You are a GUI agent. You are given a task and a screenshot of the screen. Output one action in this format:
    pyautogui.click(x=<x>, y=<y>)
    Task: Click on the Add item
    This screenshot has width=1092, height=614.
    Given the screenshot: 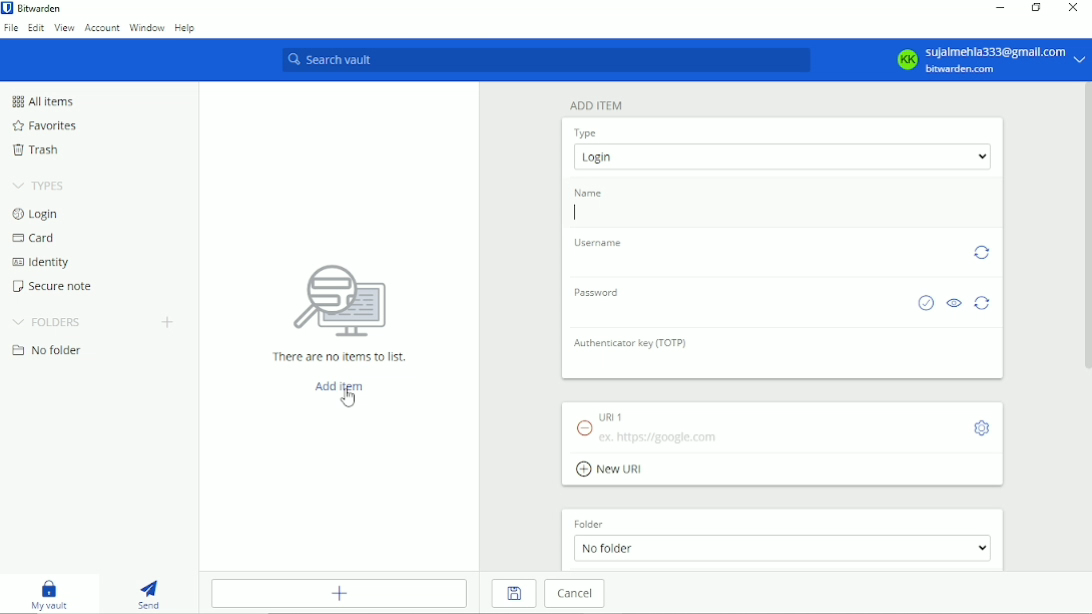 What is the action you would take?
    pyautogui.click(x=341, y=593)
    